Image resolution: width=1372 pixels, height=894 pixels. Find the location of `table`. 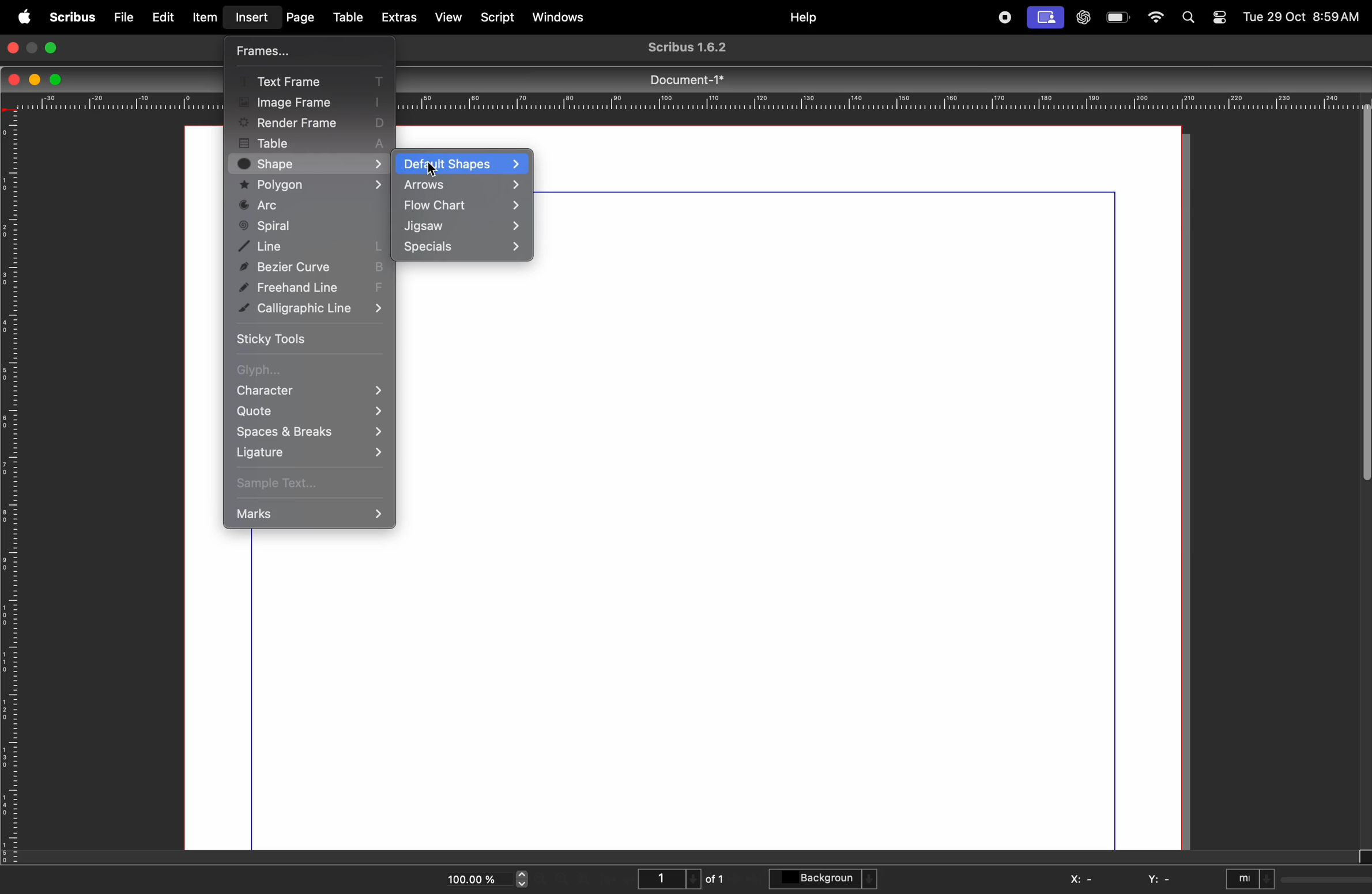

table is located at coordinates (346, 14).